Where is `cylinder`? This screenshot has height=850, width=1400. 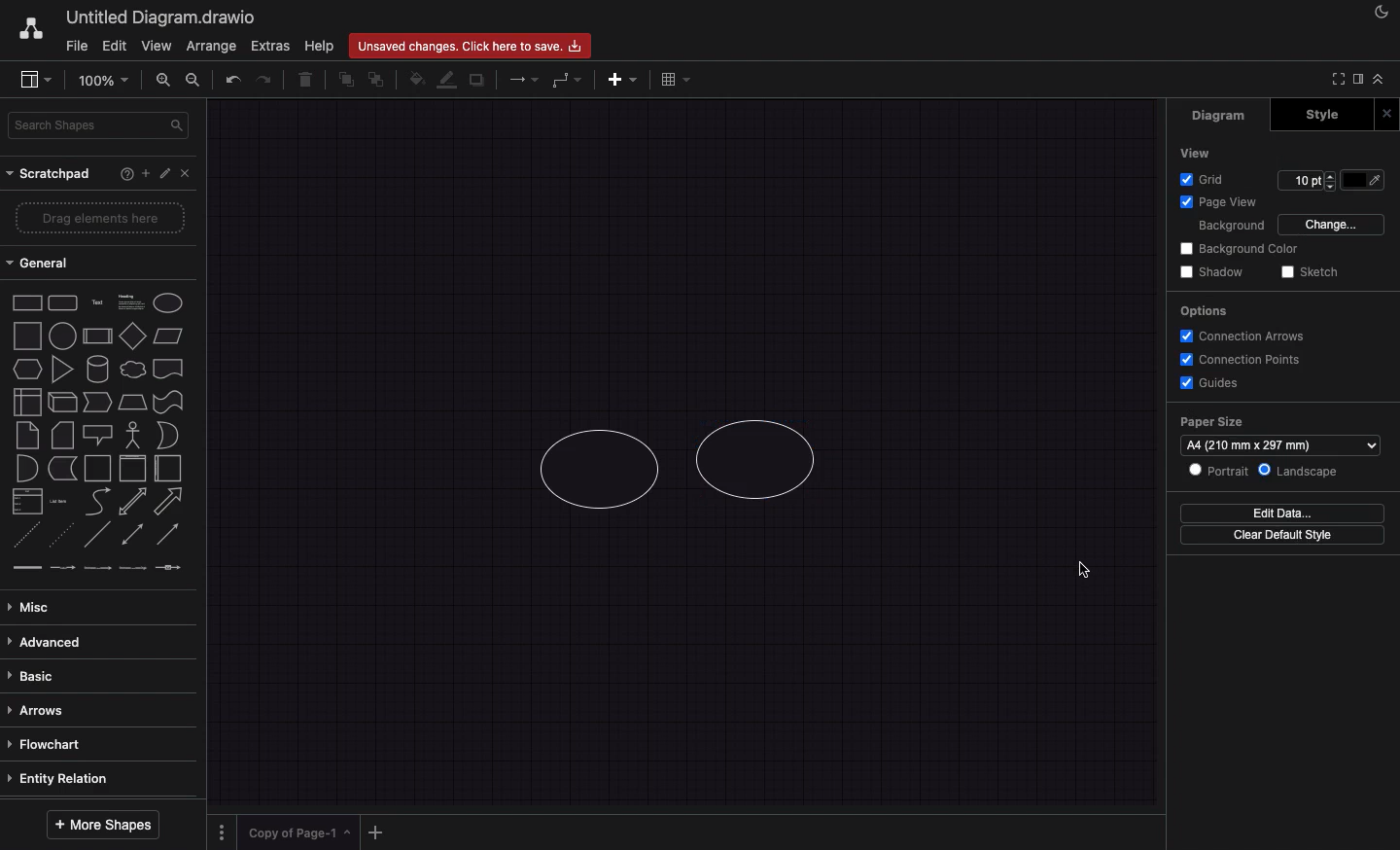
cylinder is located at coordinates (98, 370).